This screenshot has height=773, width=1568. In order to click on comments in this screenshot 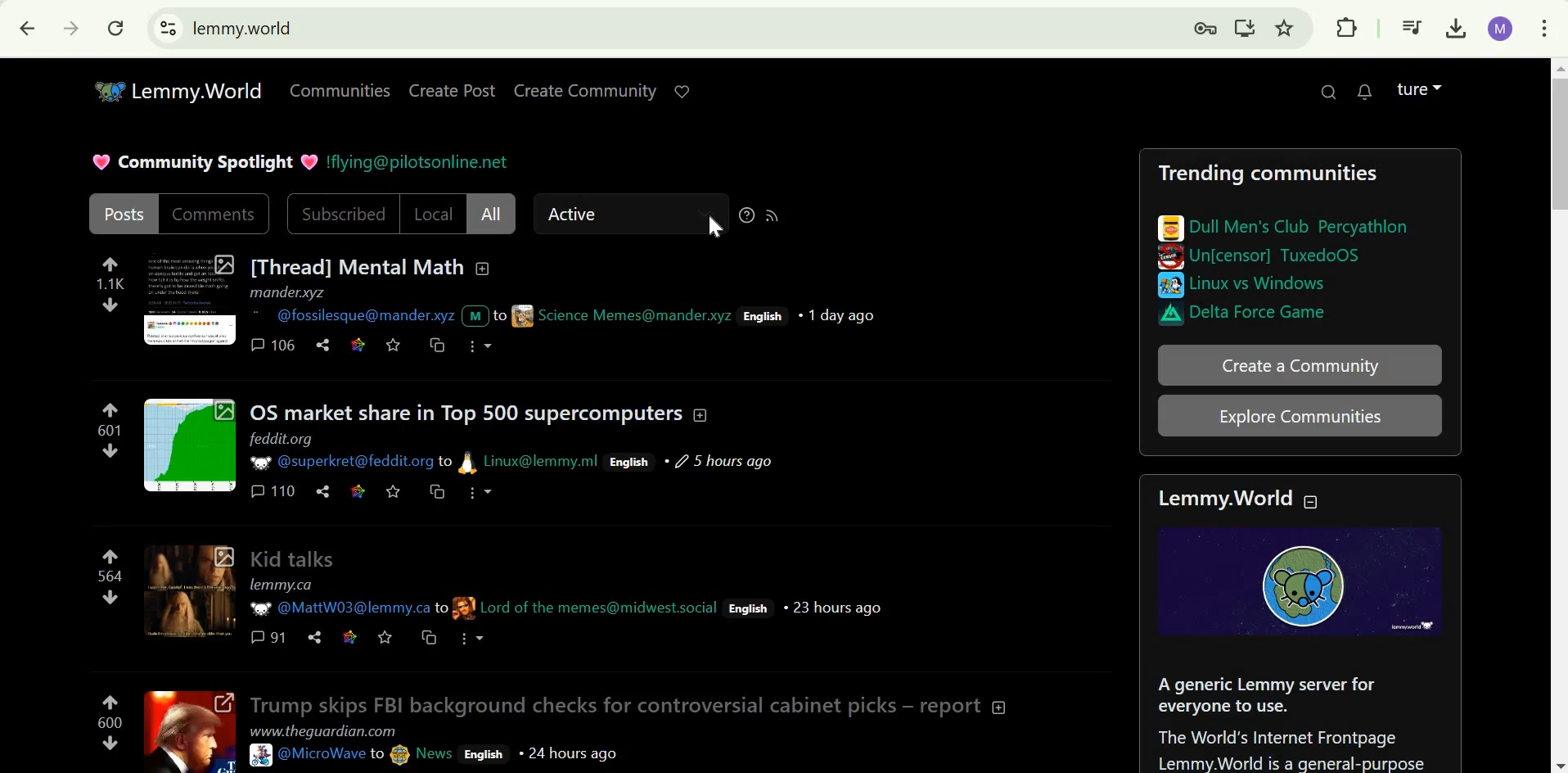, I will do `click(273, 343)`.